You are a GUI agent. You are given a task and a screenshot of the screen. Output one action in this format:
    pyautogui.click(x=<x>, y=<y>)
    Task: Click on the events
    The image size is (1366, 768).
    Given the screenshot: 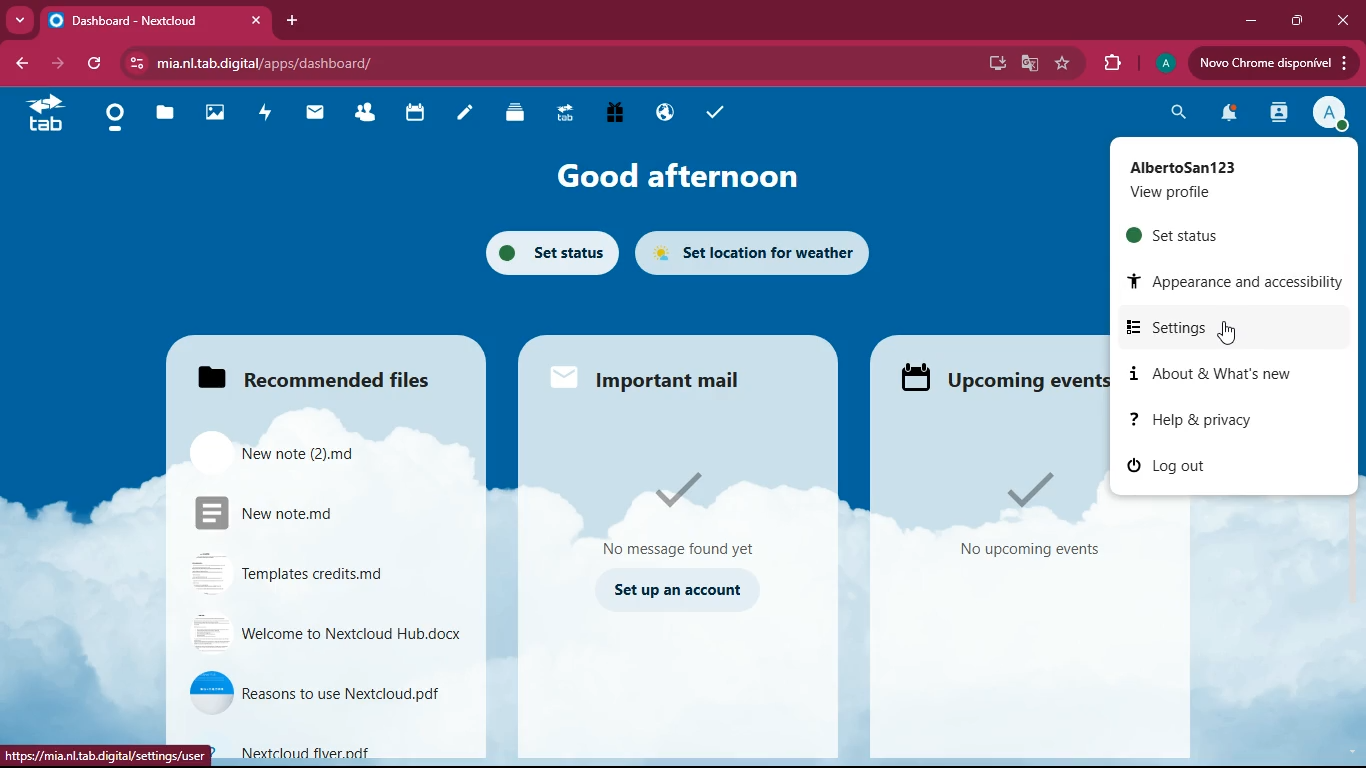 What is the action you would take?
    pyautogui.click(x=1033, y=514)
    